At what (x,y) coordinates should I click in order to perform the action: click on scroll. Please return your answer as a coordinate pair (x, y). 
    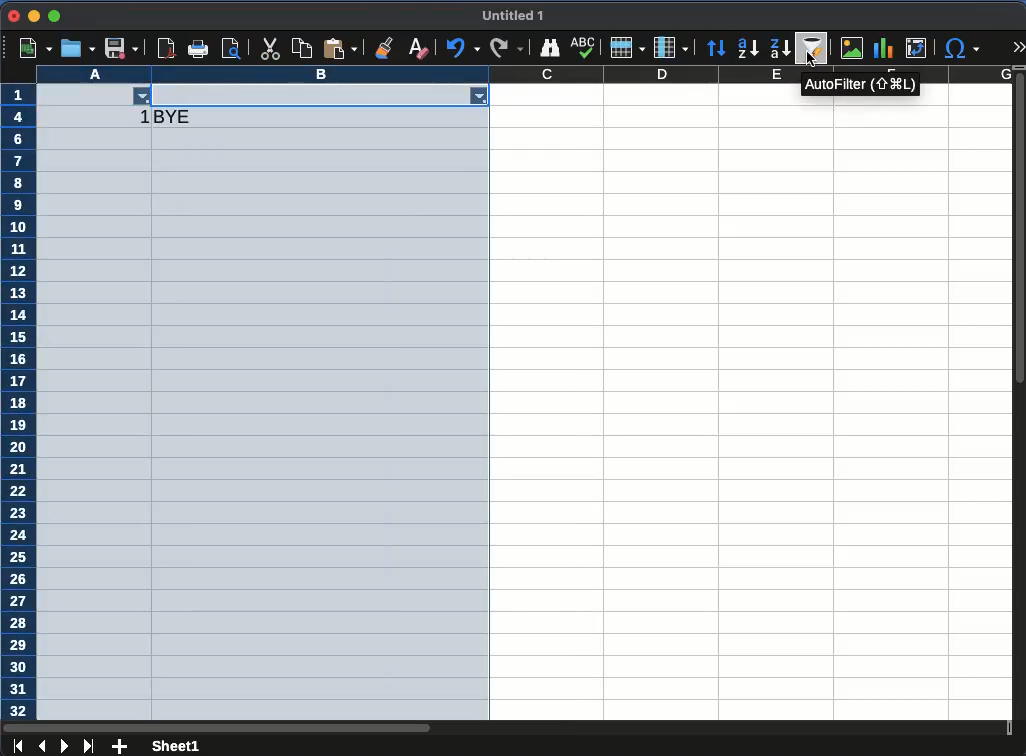
    Looking at the image, I should click on (505, 725).